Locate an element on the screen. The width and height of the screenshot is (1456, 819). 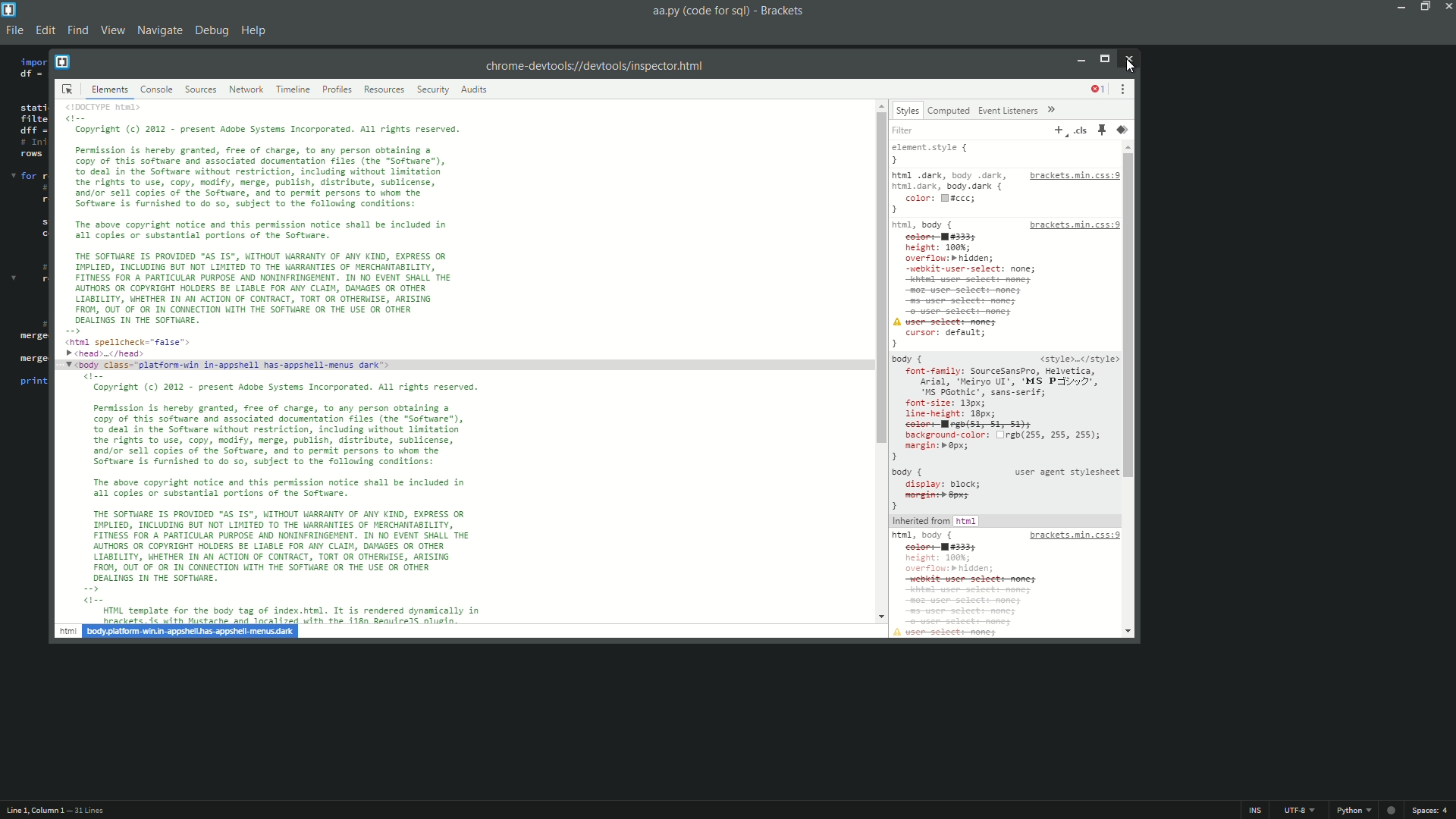
view  is located at coordinates (115, 33).